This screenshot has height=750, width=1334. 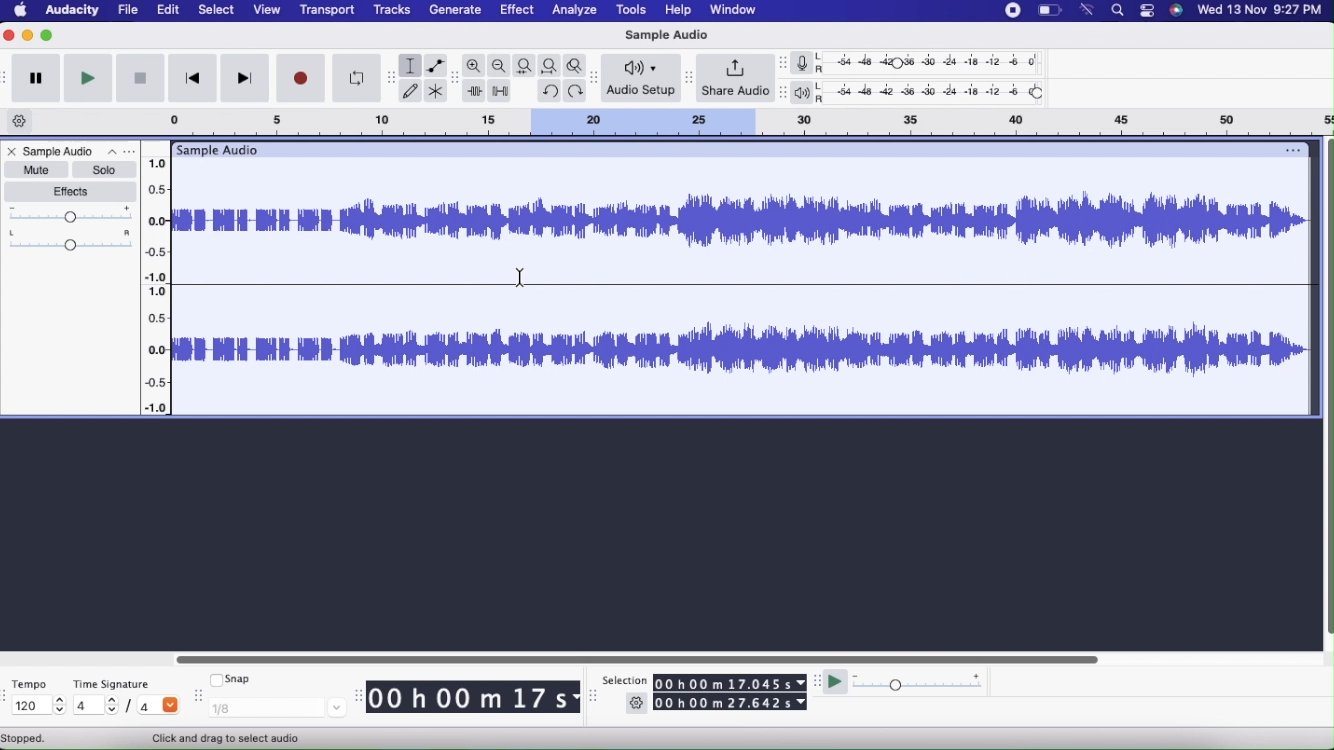 I want to click on menu, so click(x=1009, y=10).